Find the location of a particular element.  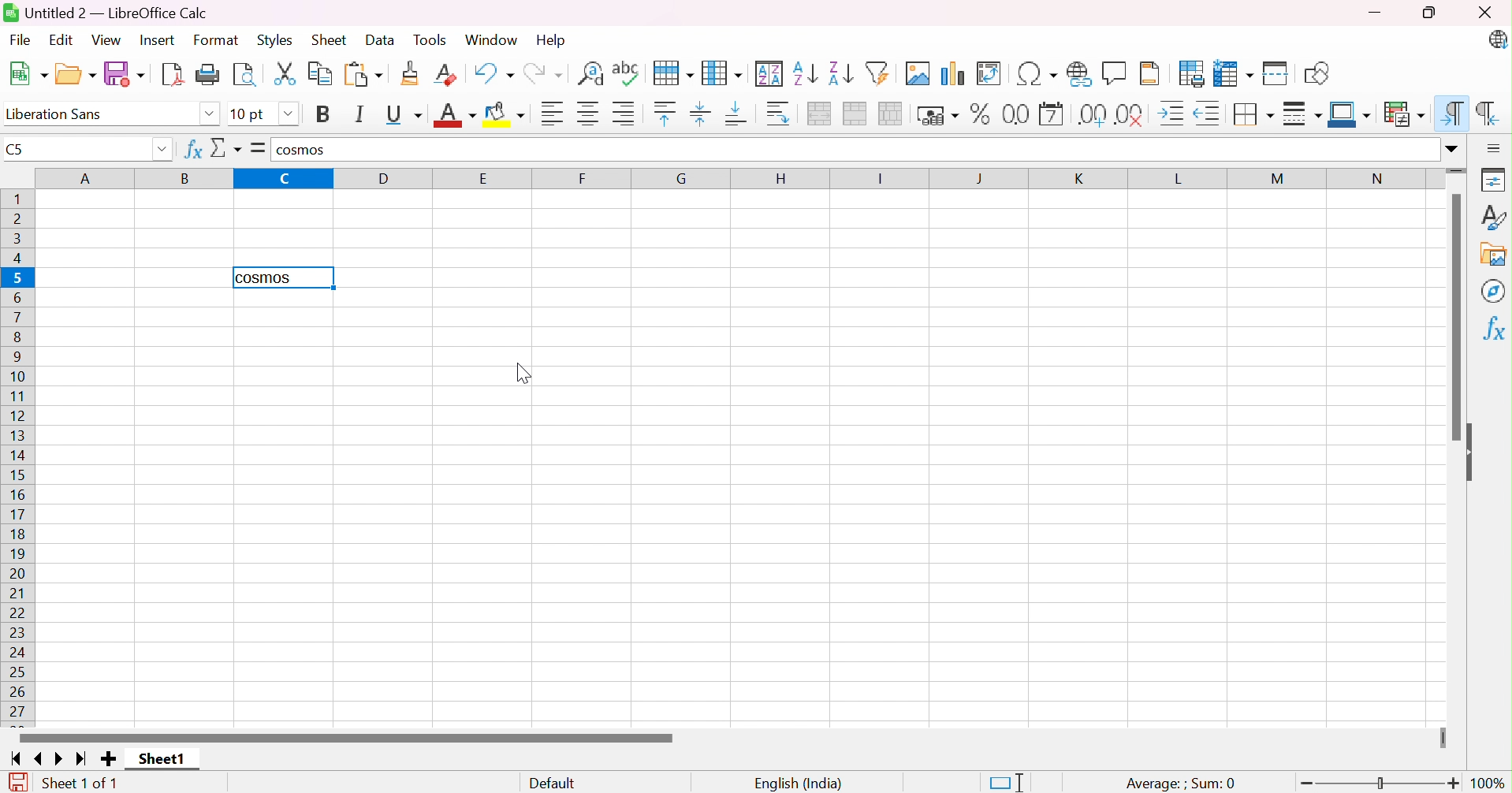

Minimize is located at coordinates (1376, 12).